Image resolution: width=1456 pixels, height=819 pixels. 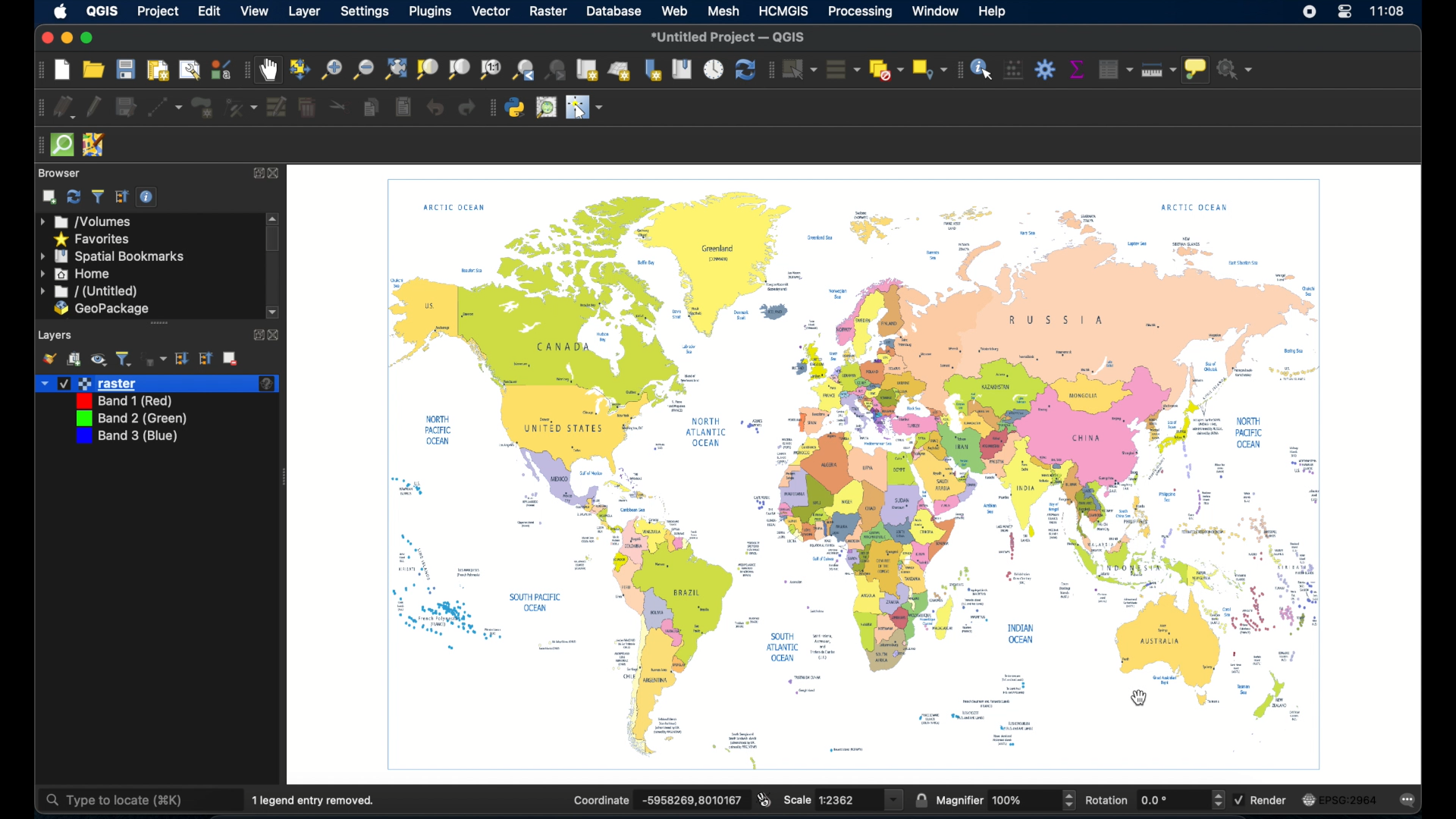 What do you see at coordinates (234, 359) in the screenshot?
I see `remove layer/group` at bounding box center [234, 359].